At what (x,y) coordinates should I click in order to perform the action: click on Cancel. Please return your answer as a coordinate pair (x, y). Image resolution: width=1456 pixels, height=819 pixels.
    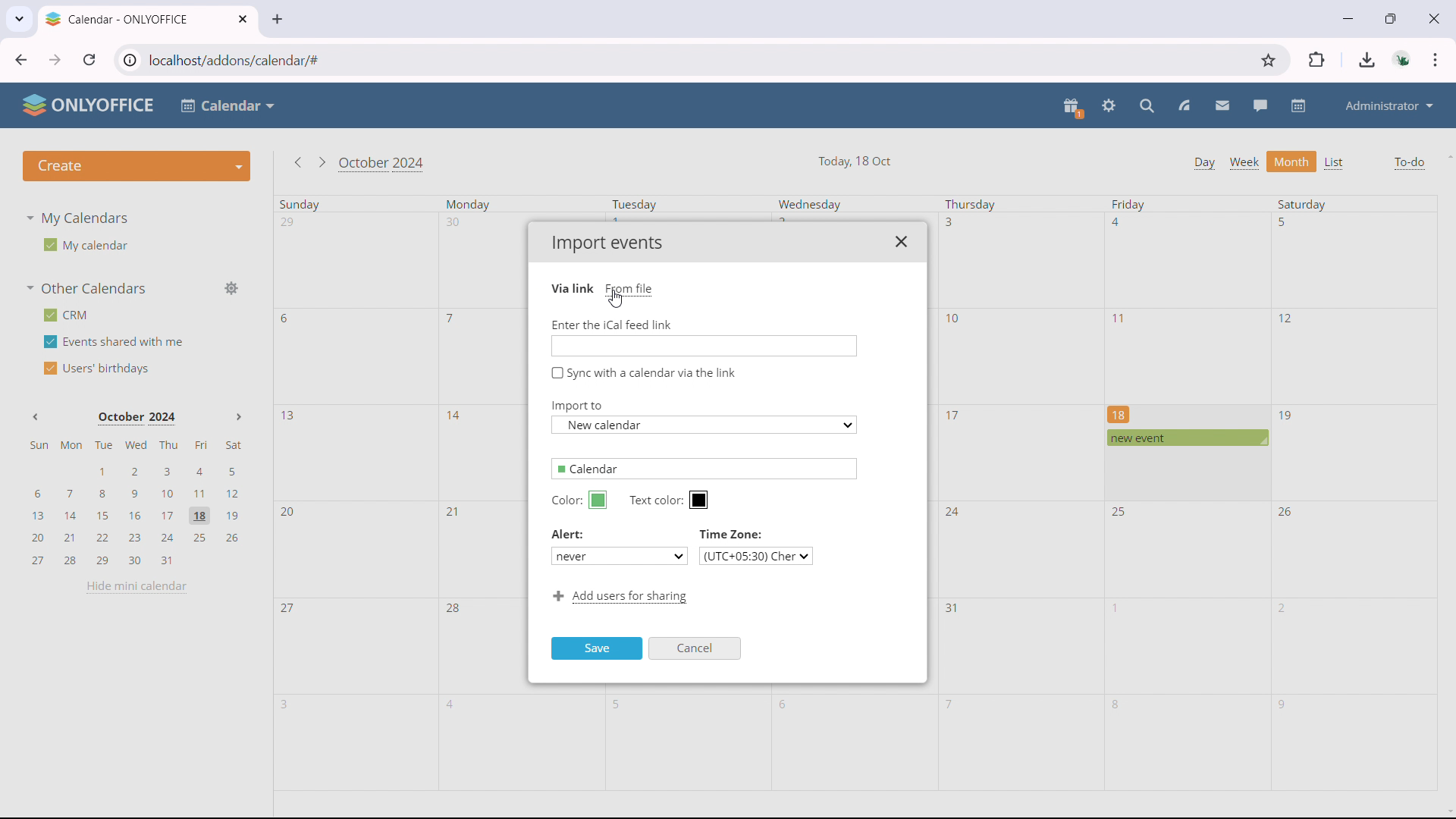
    Looking at the image, I should click on (696, 648).